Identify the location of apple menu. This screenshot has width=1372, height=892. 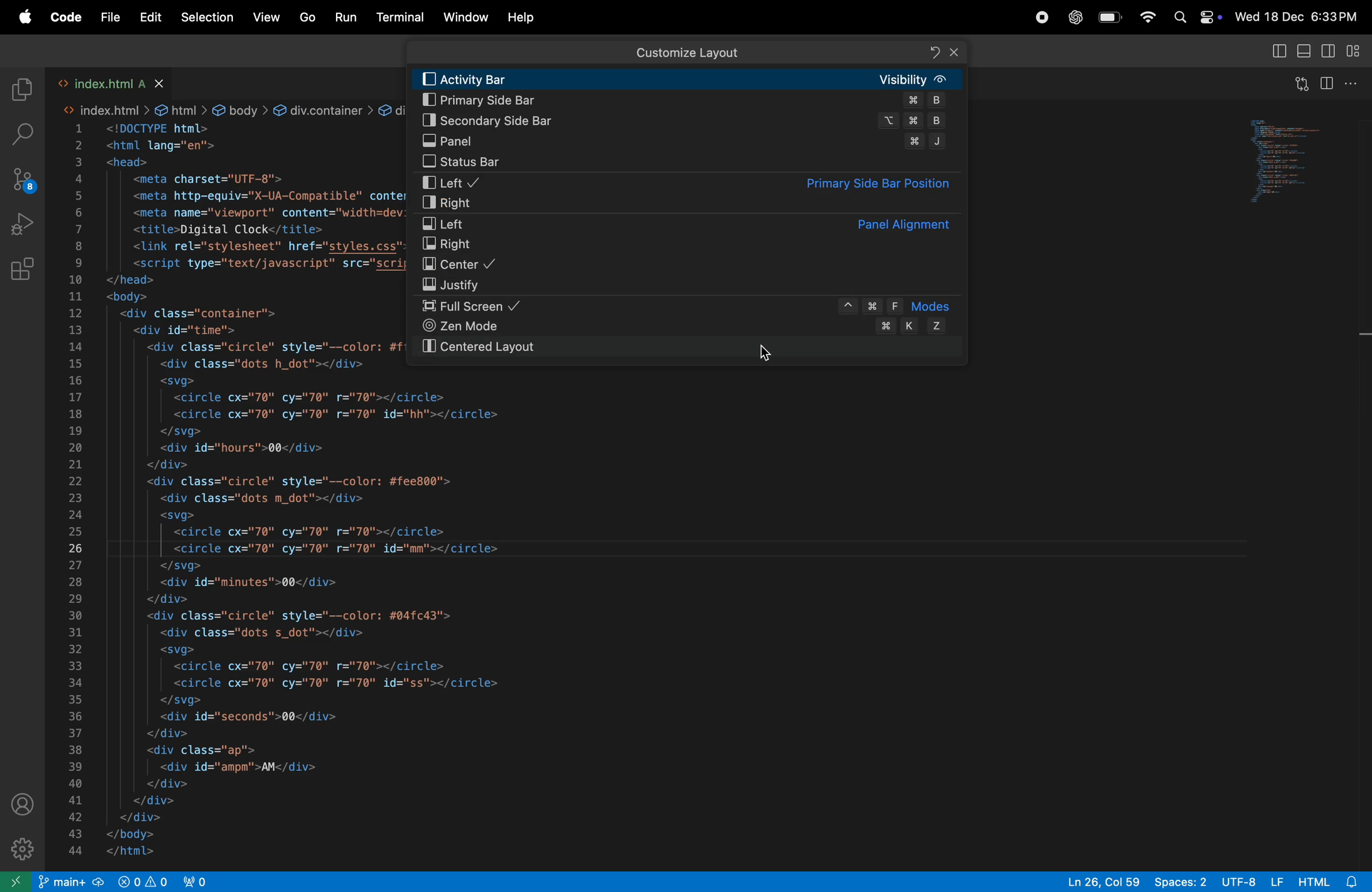
(19, 17).